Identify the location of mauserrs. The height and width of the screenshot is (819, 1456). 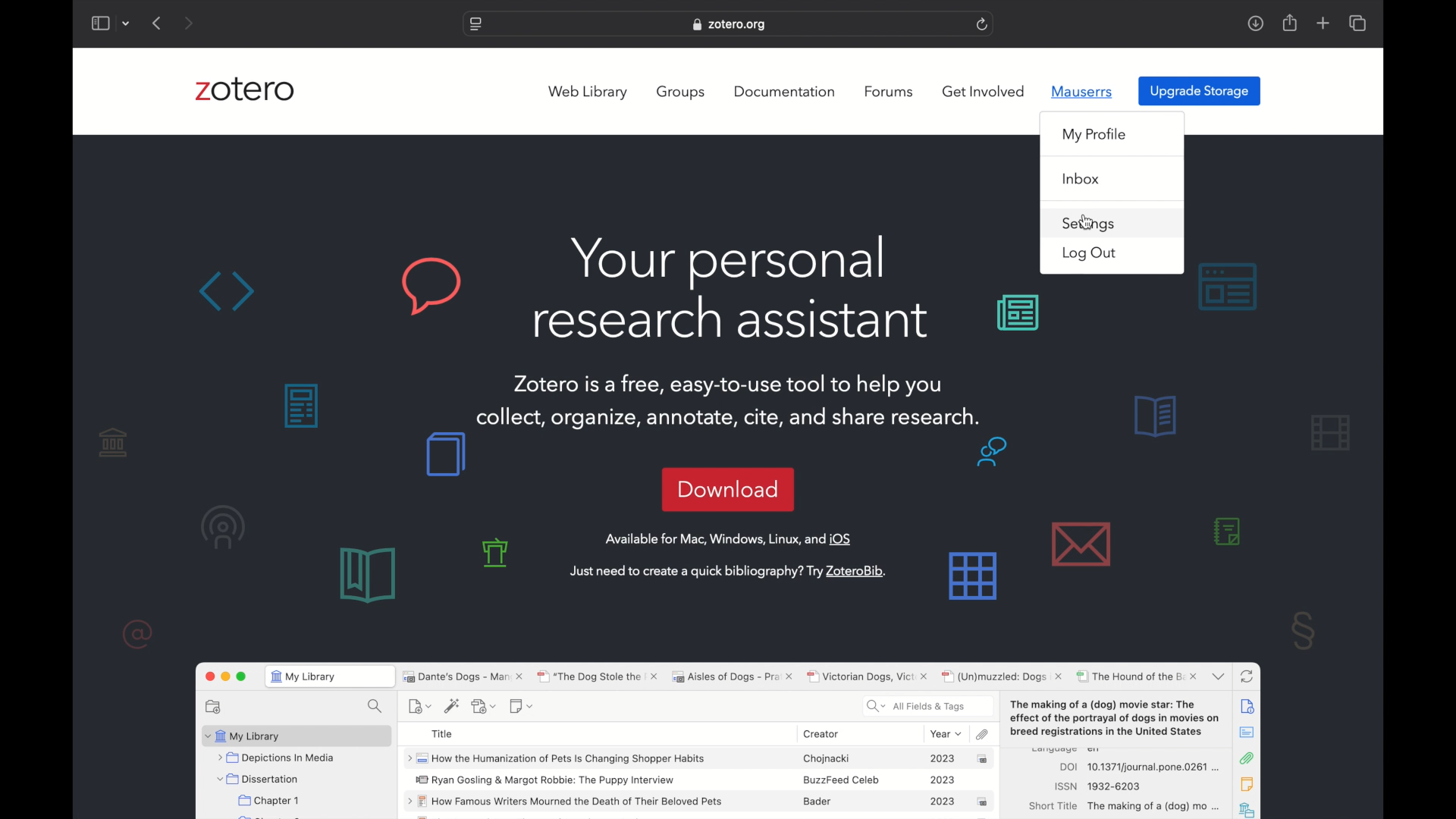
(1082, 92).